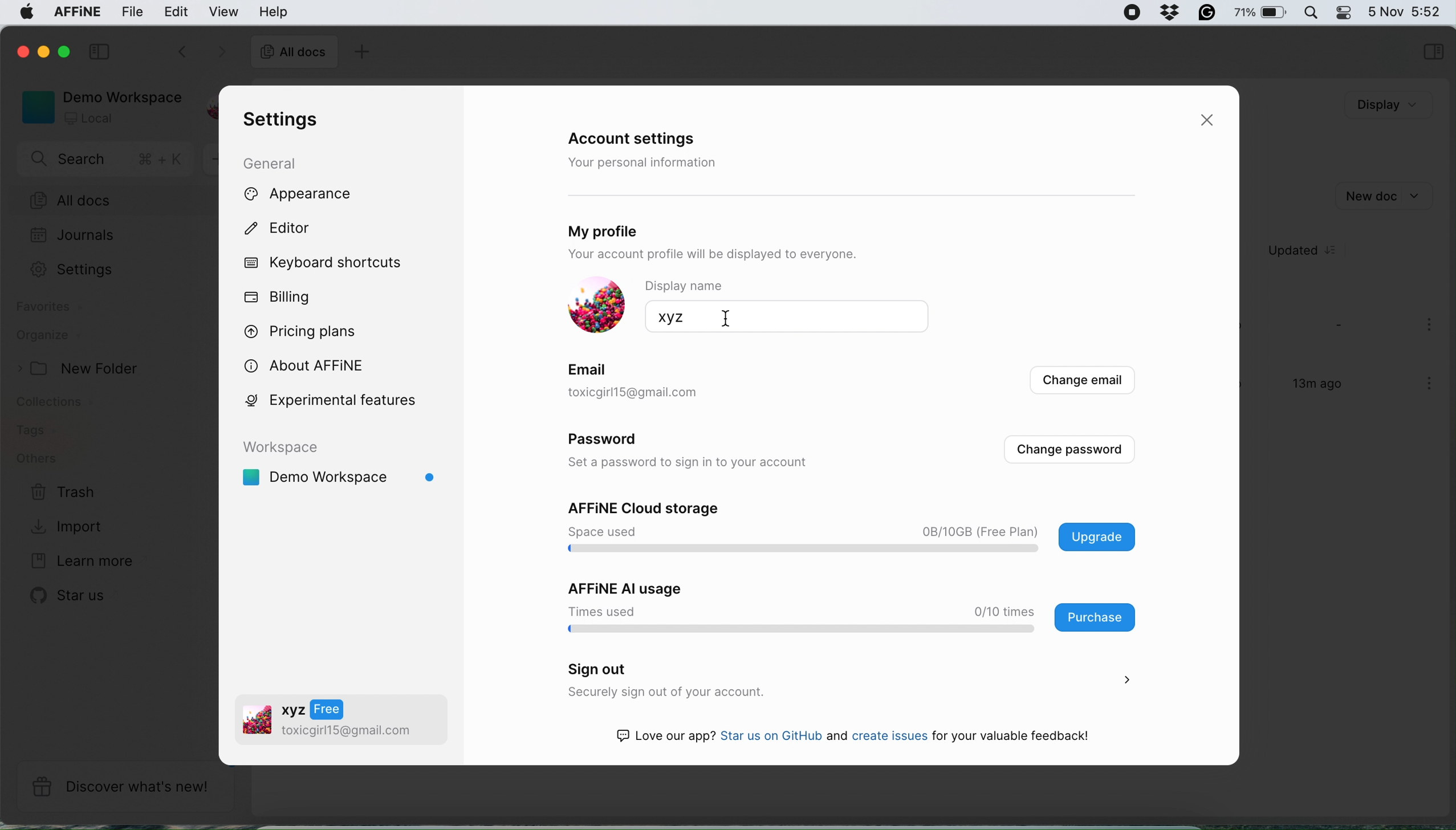 The height and width of the screenshot is (830, 1456). What do you see at coordinates (125, 787) in the screenshot?
I see `discover what's new` at bounding box center [125, 787].